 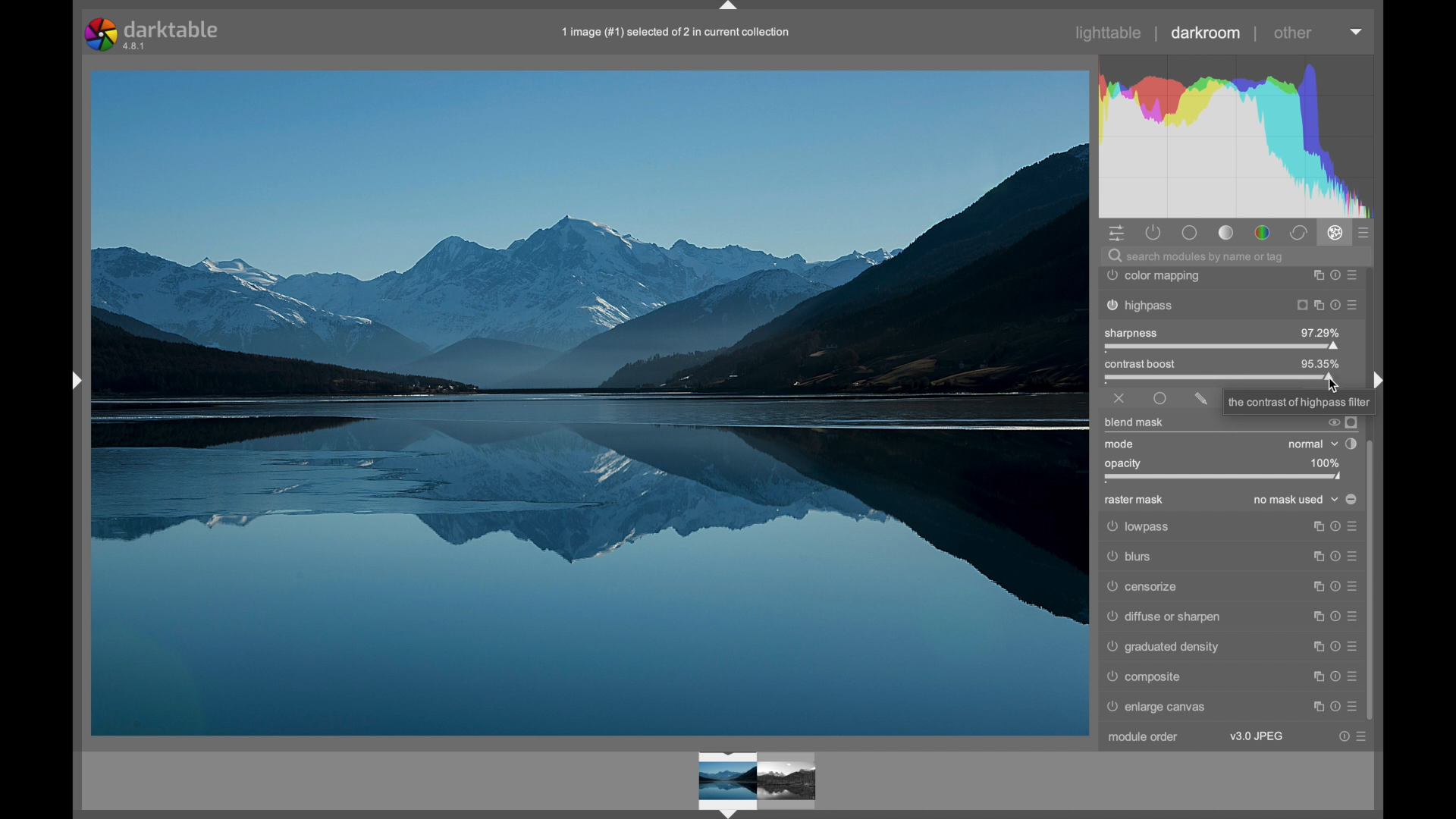 What do you see at coordinates (1196, 257) in the screenshot?
I see `search modules by name or tag` at bounding box center [1196, 257].